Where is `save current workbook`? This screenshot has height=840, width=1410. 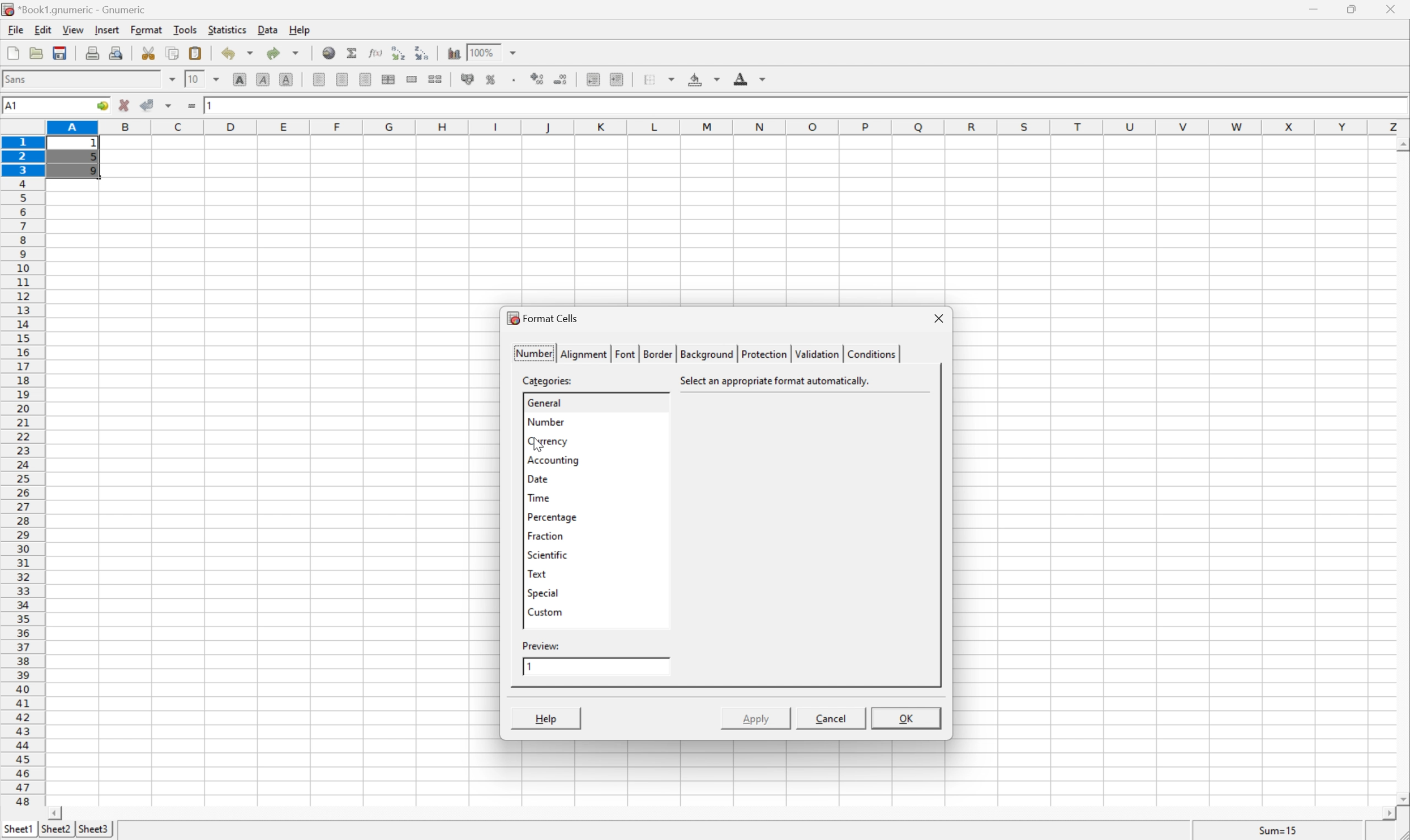
save current workbook is located at coordinates (60, 53).